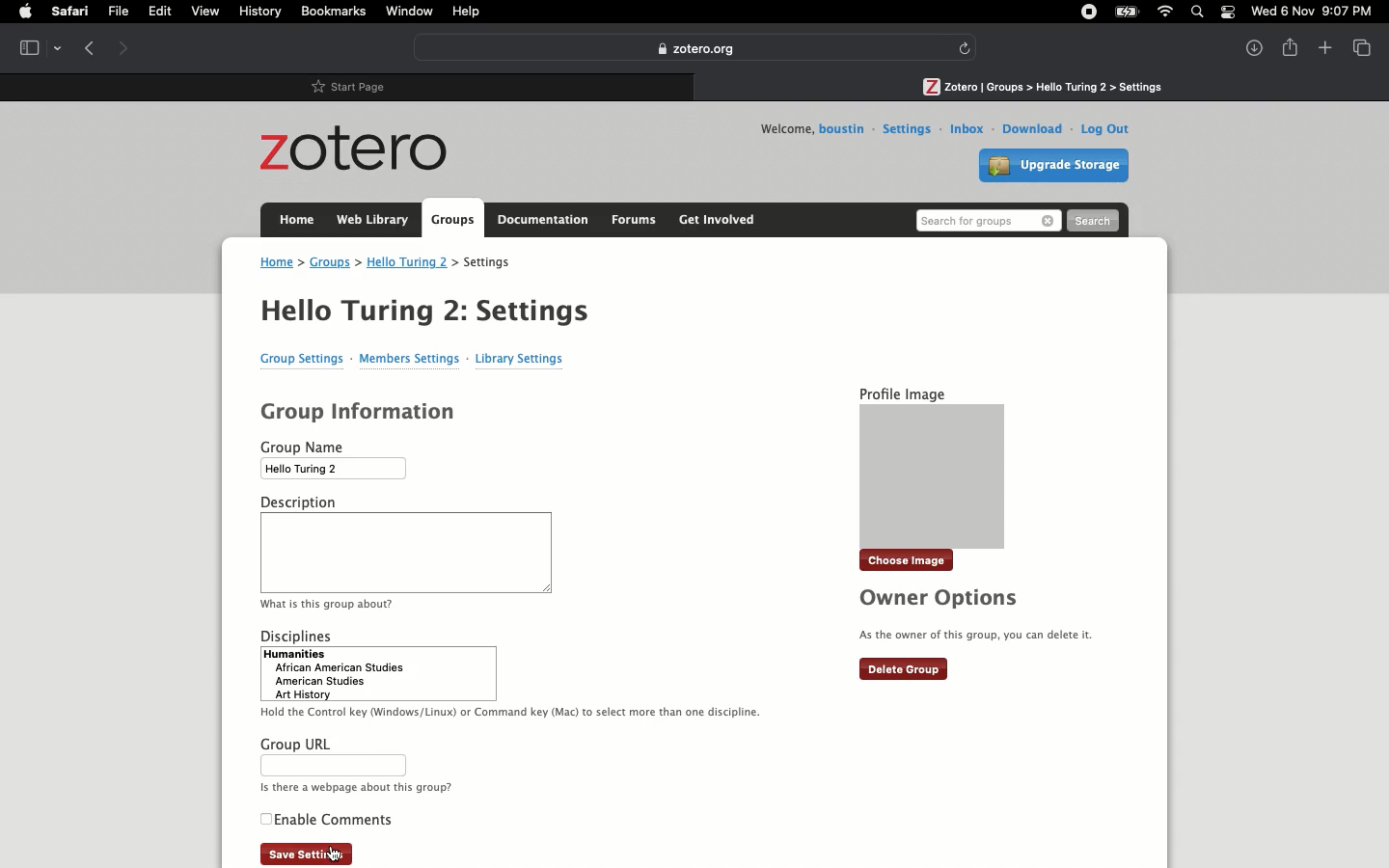 This screenshot has width=1389, height=868. I want to click on Save, so click(307, 851).